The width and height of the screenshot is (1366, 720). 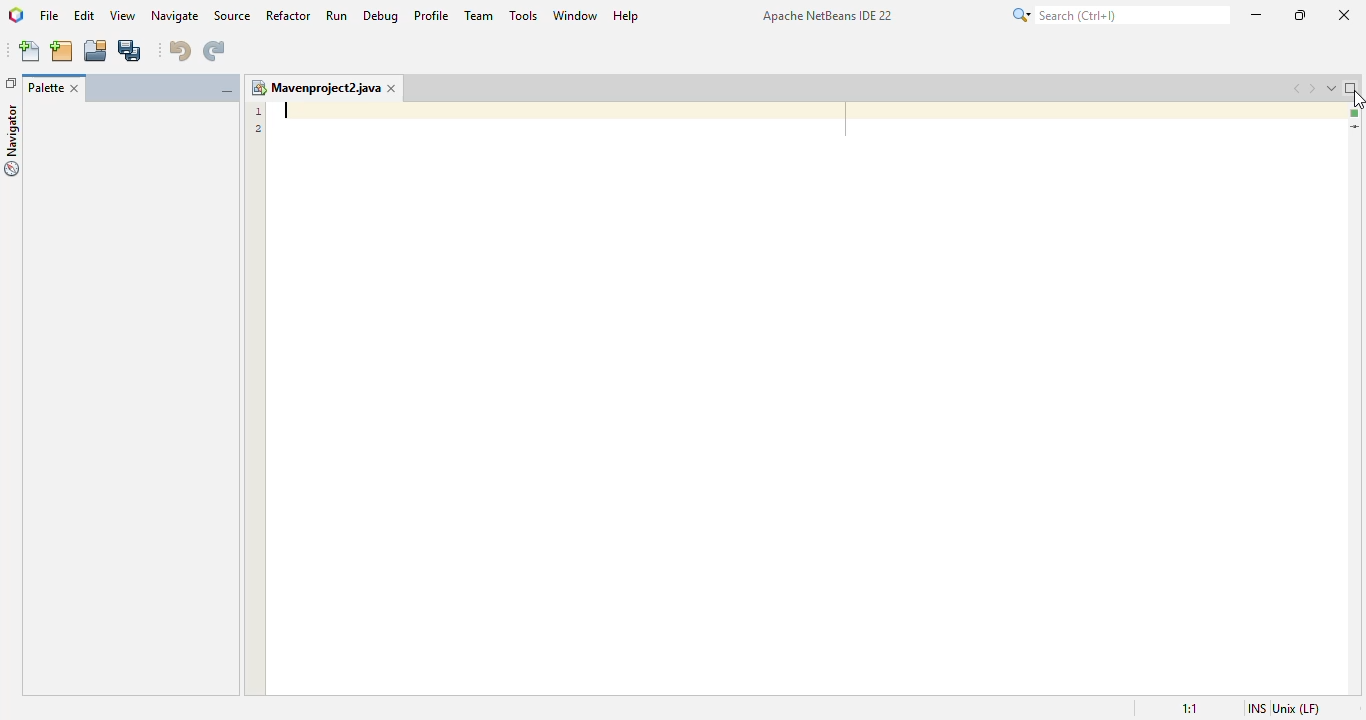 What do you see at coordinates (73, 89) in the screenshot?
I see `close window` at bounding box center [73, 89].